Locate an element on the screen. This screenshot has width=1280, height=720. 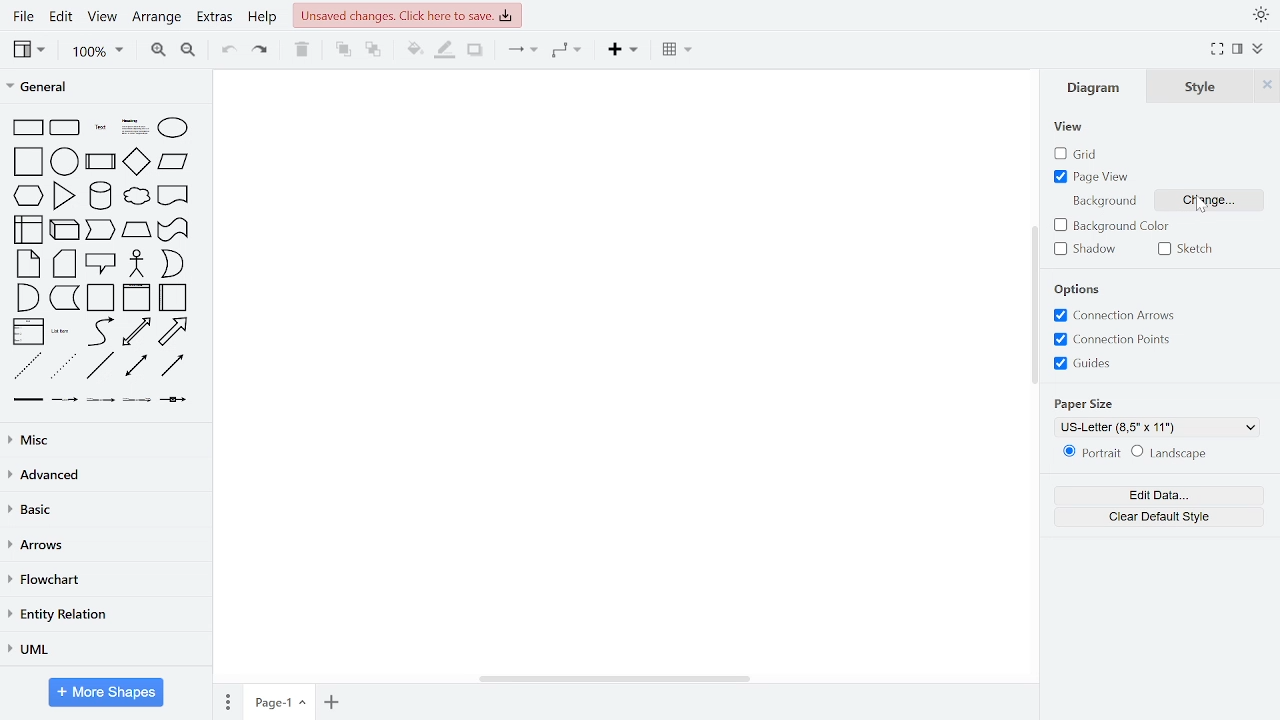
add page is located at coordinates (330, 703).